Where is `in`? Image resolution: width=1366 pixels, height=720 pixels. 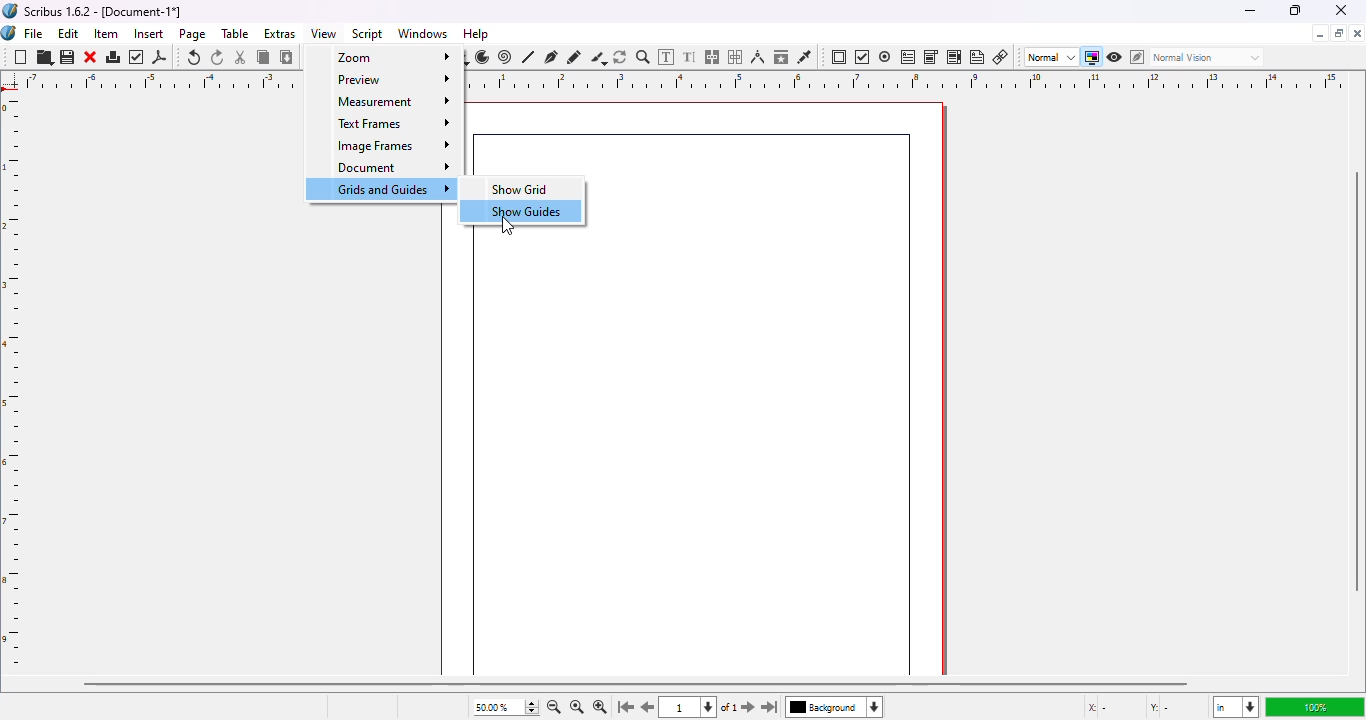 in is located at coordinates (1234, 708).